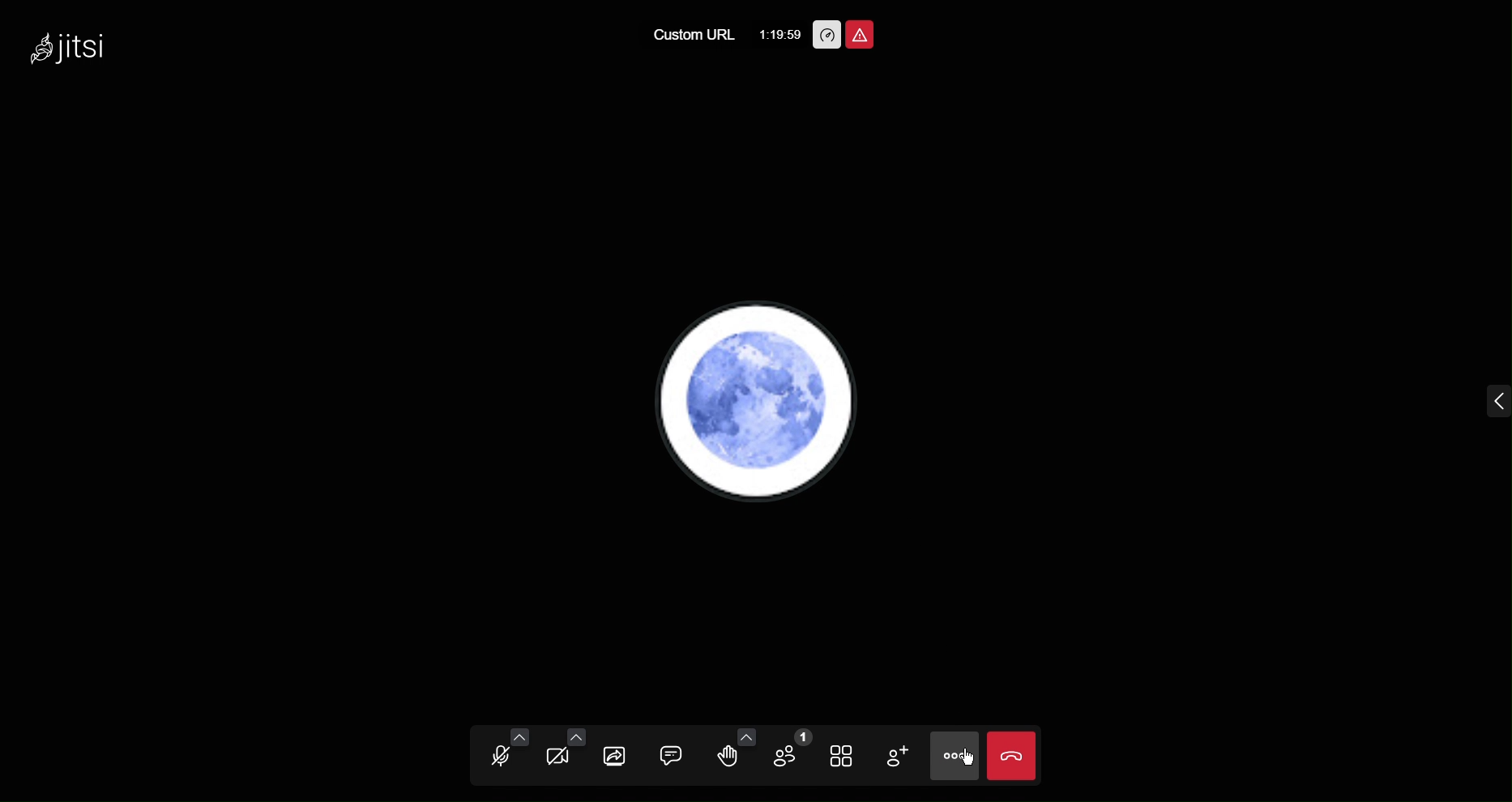 Image resolution: width=1512 pixels, height=802 pixels. What do you see at coordinates (792, 754) in the screenshot?
I see `Participants` at bounding box center [792, 754].